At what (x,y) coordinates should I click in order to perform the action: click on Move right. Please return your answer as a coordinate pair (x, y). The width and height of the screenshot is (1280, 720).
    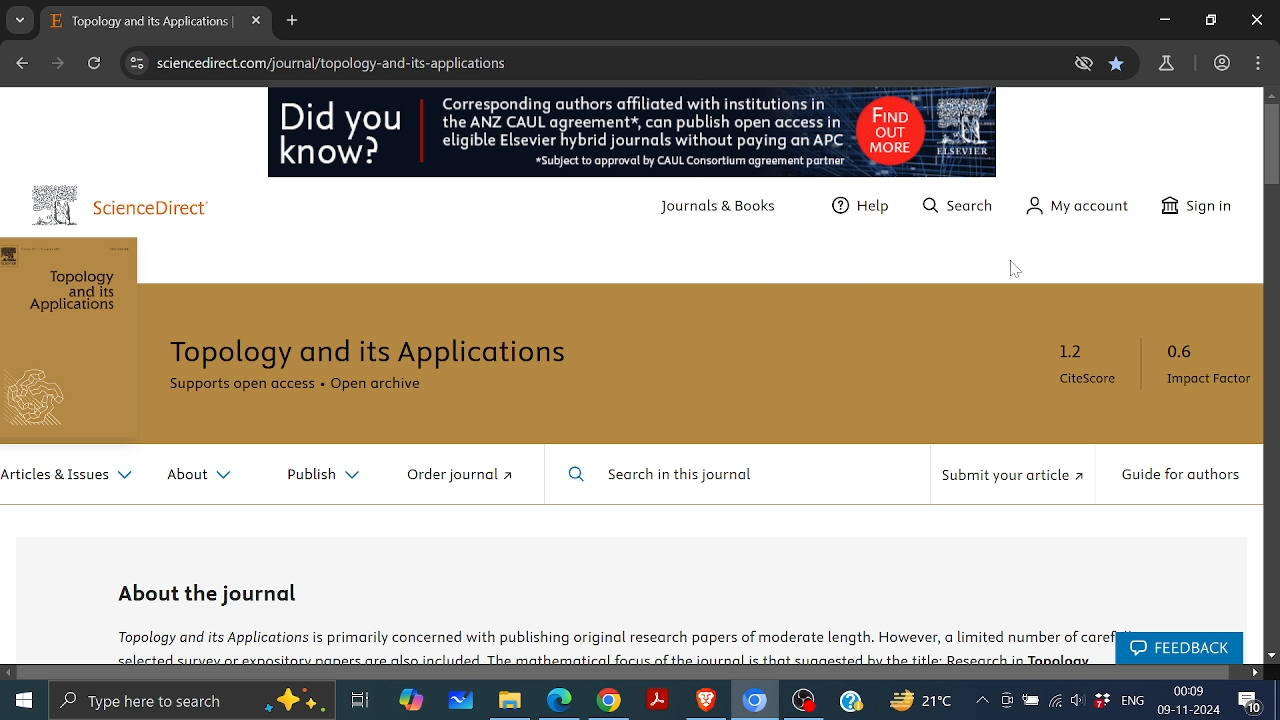
    Looking at the image, I should click on (1254, 672).